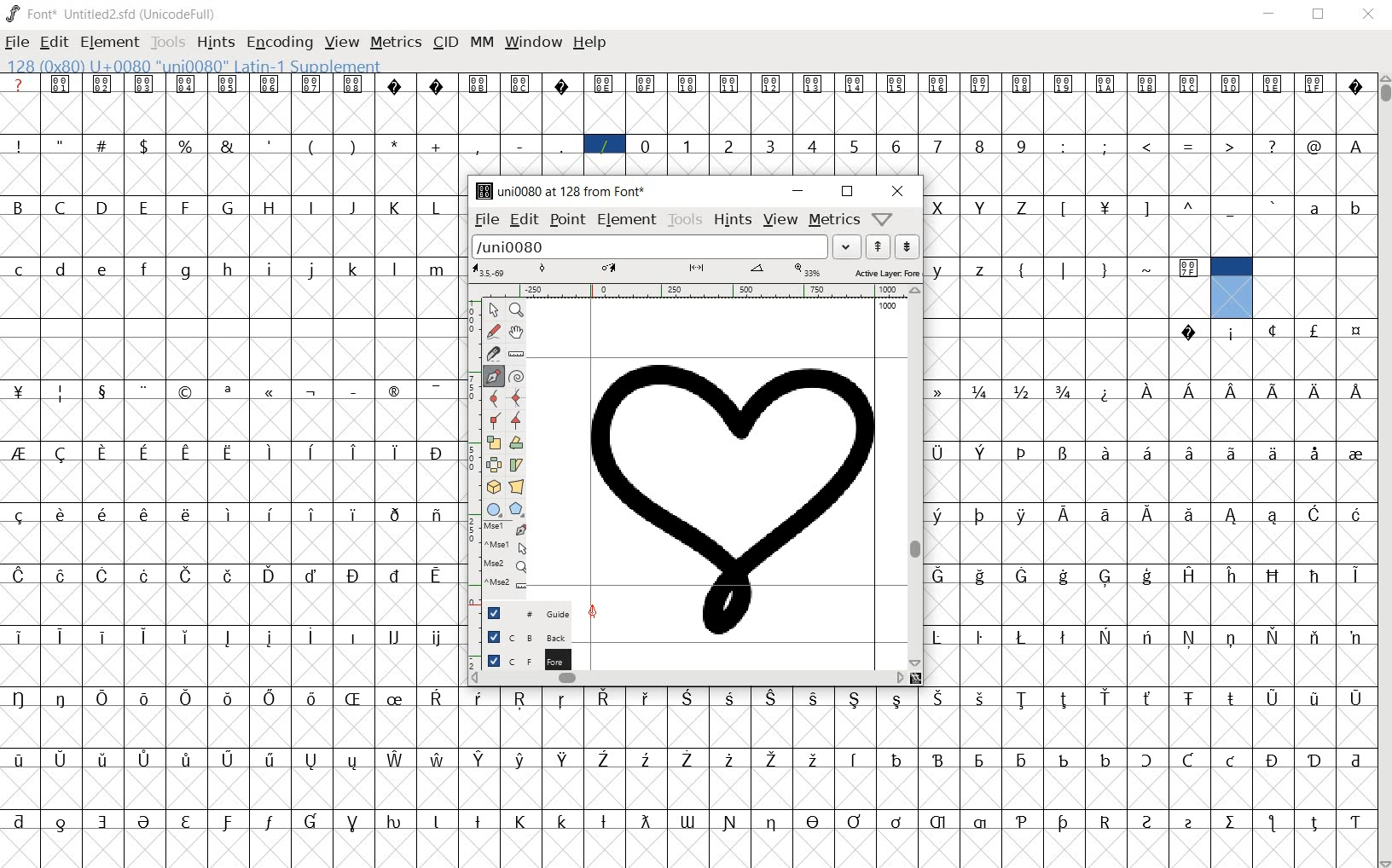 The width and height of the screenshot is (1392, 868). Describe the element at coordinates (1273, 453) in the screenshot. I see `glyph` at that location.